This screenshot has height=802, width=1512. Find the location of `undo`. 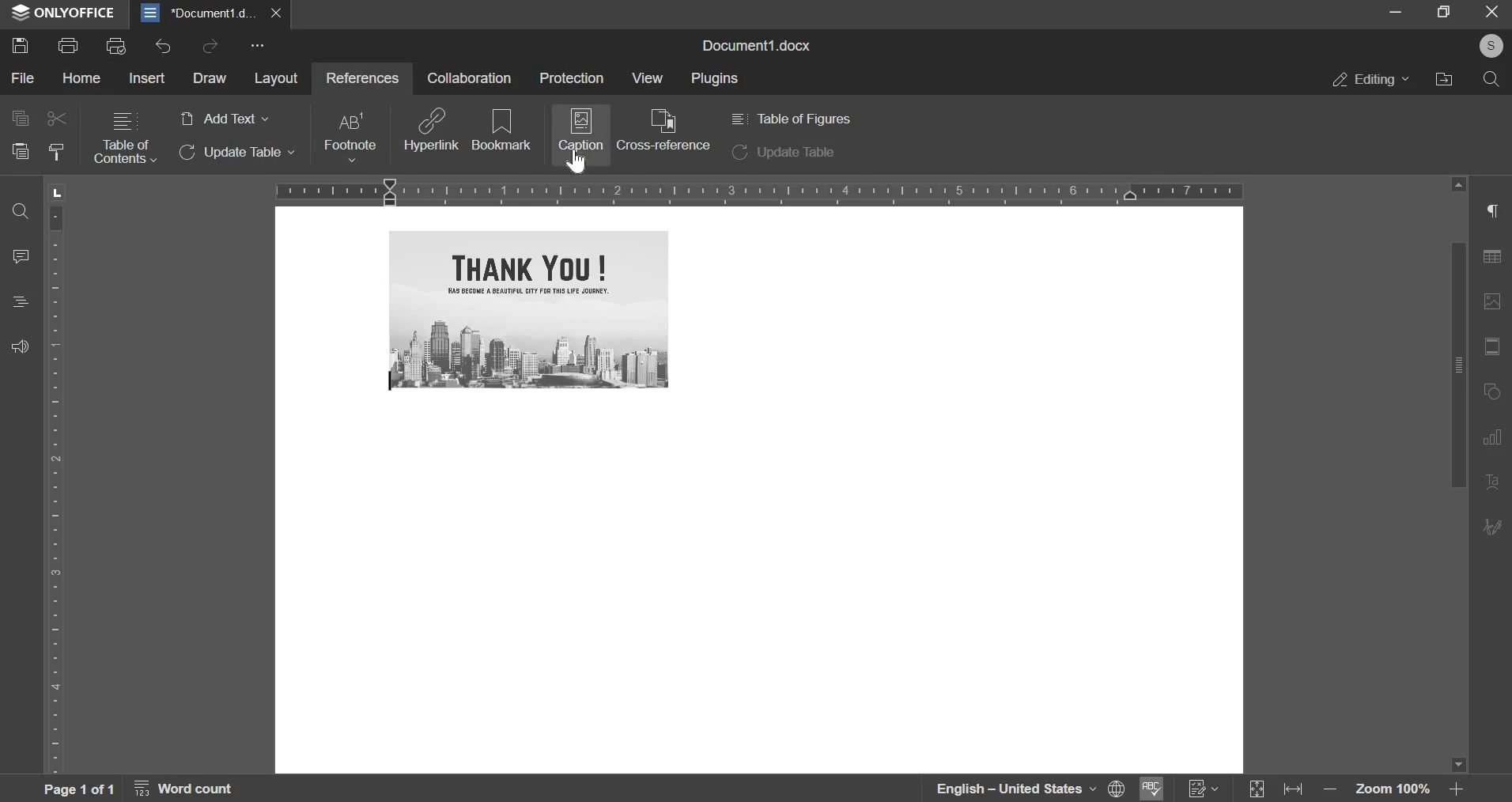

undo is located at coordinates (163, 47).